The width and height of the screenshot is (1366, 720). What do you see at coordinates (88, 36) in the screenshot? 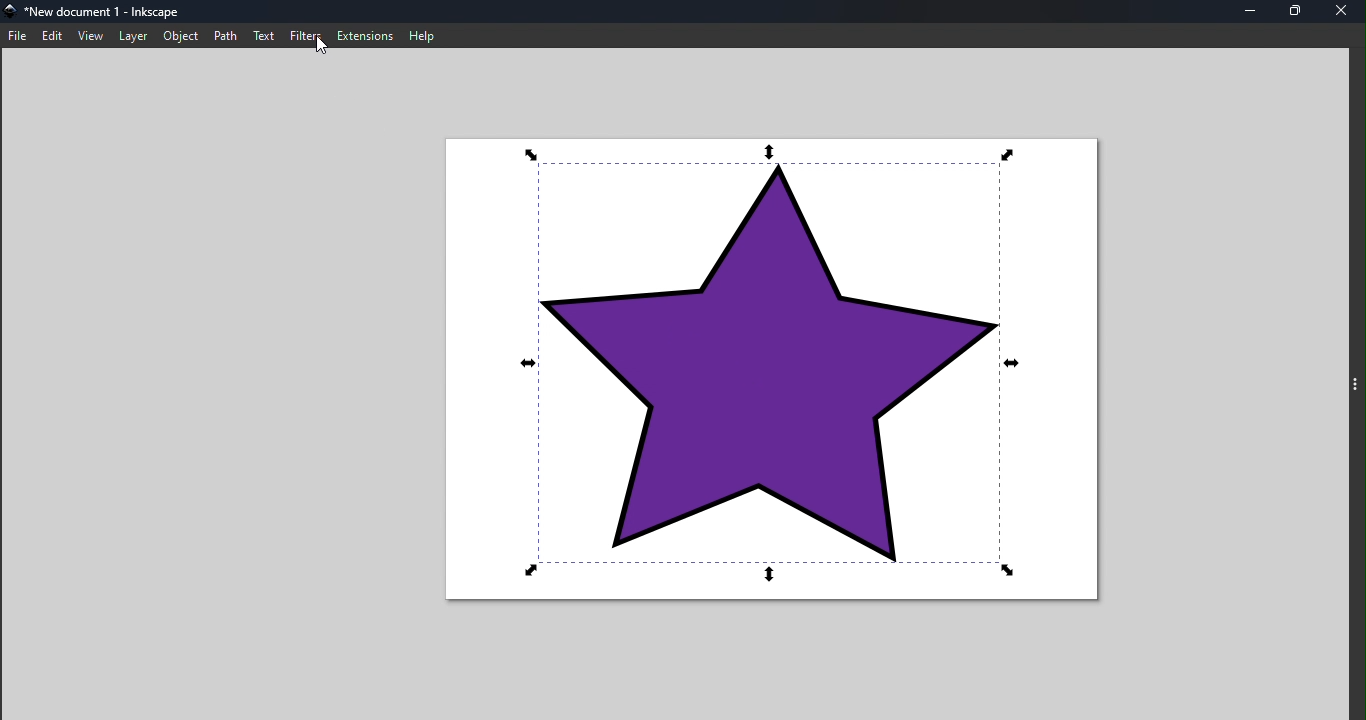
I see `View` at bounding box center [88, 36].